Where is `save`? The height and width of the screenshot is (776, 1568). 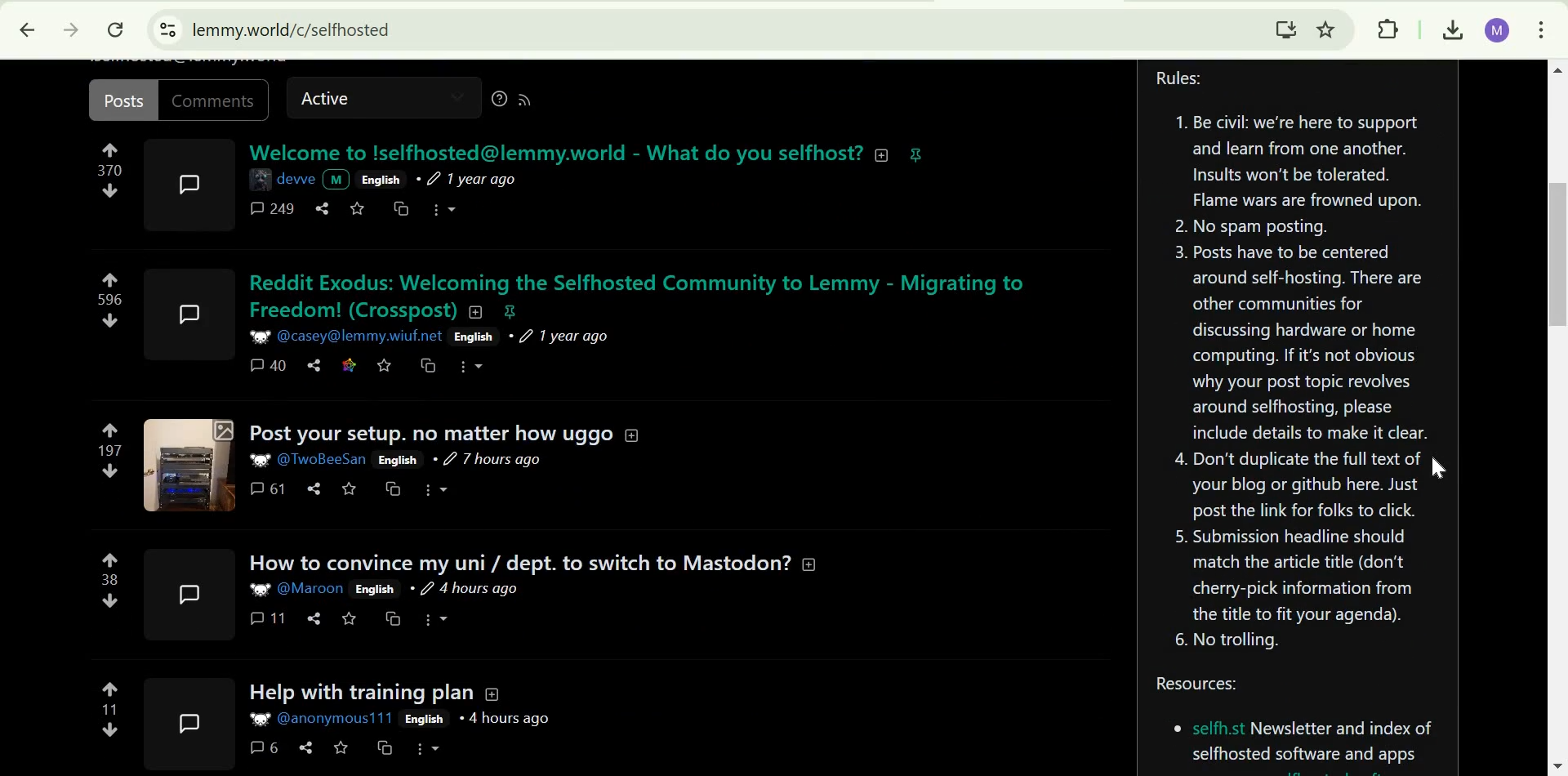 save is located at coordinates (350, 619).